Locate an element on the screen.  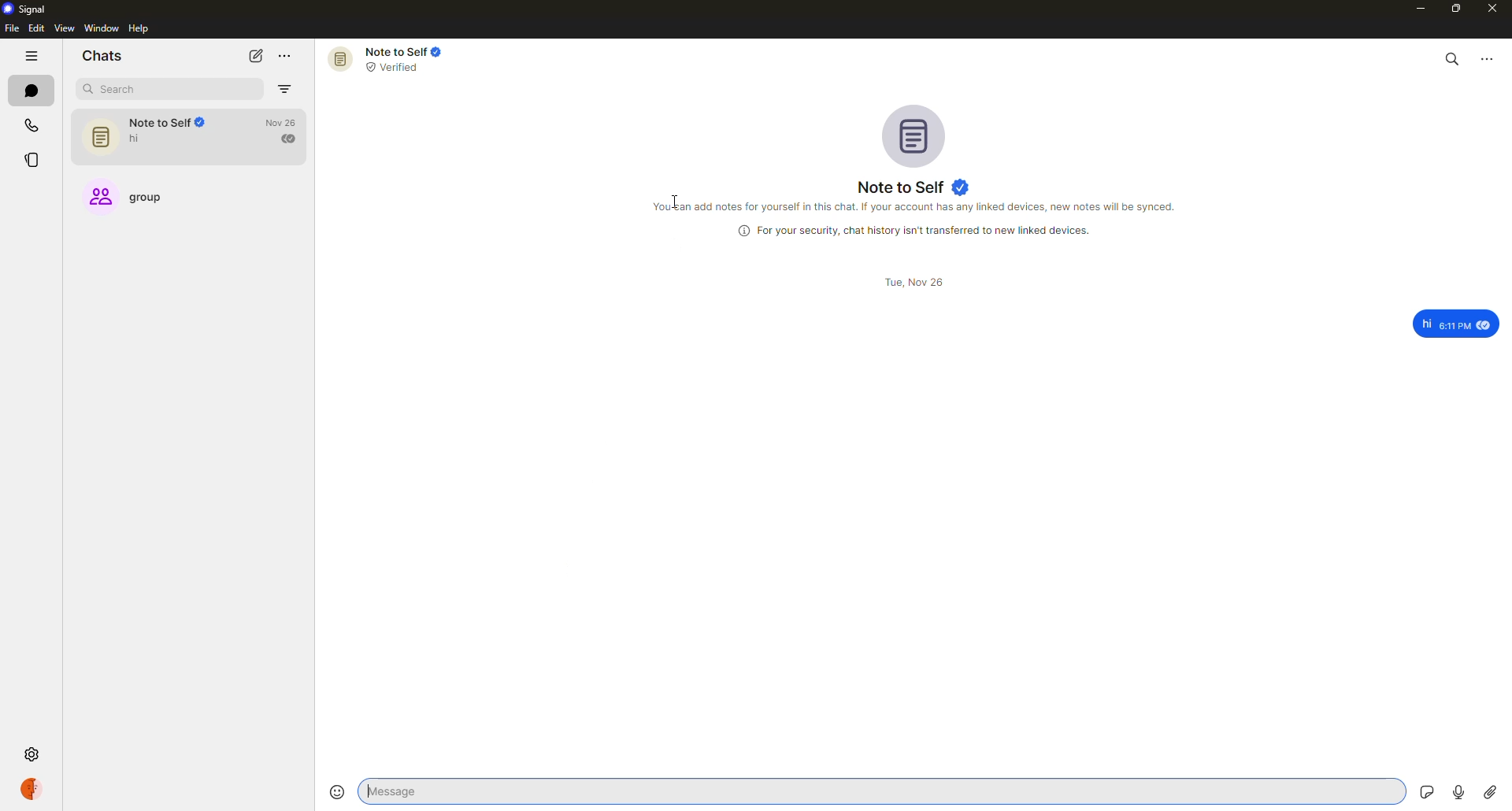
profile is located at coordinates (30, 790).